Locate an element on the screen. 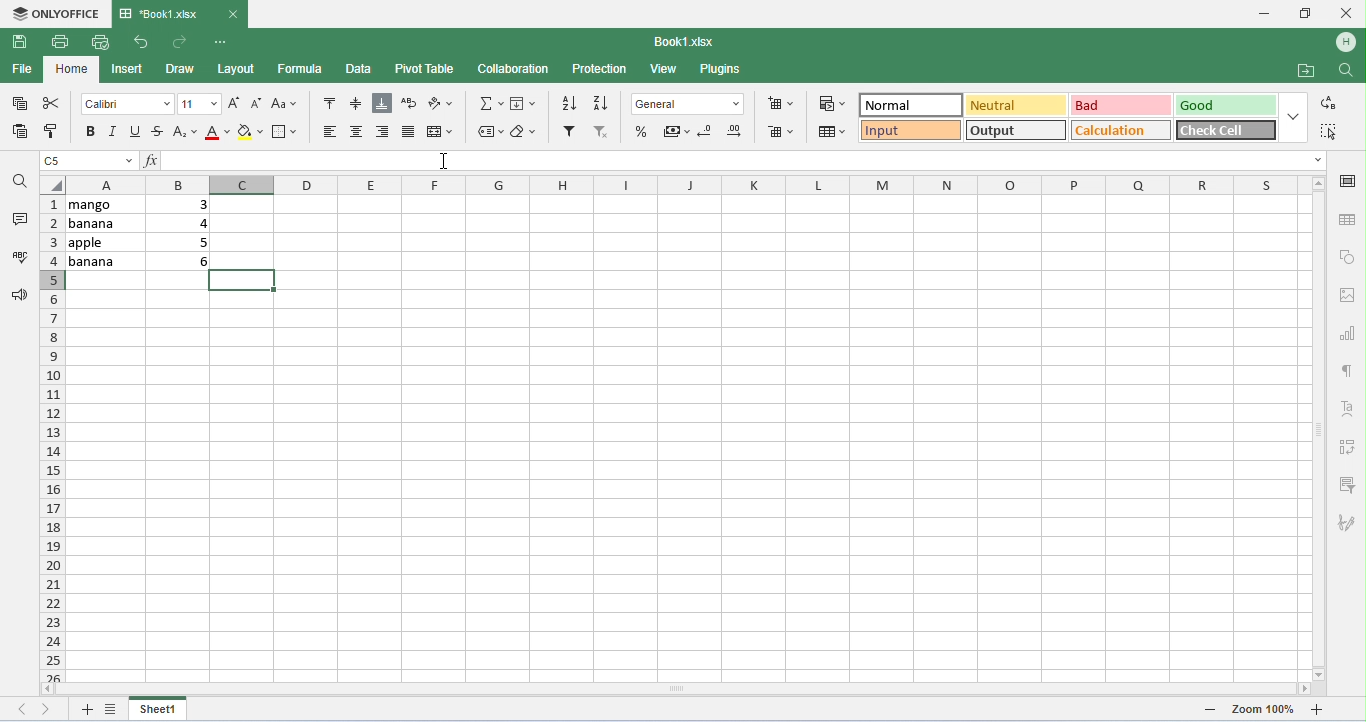 This screenshot has width=1366, height=722. output is located at coordinates (1017, 130).